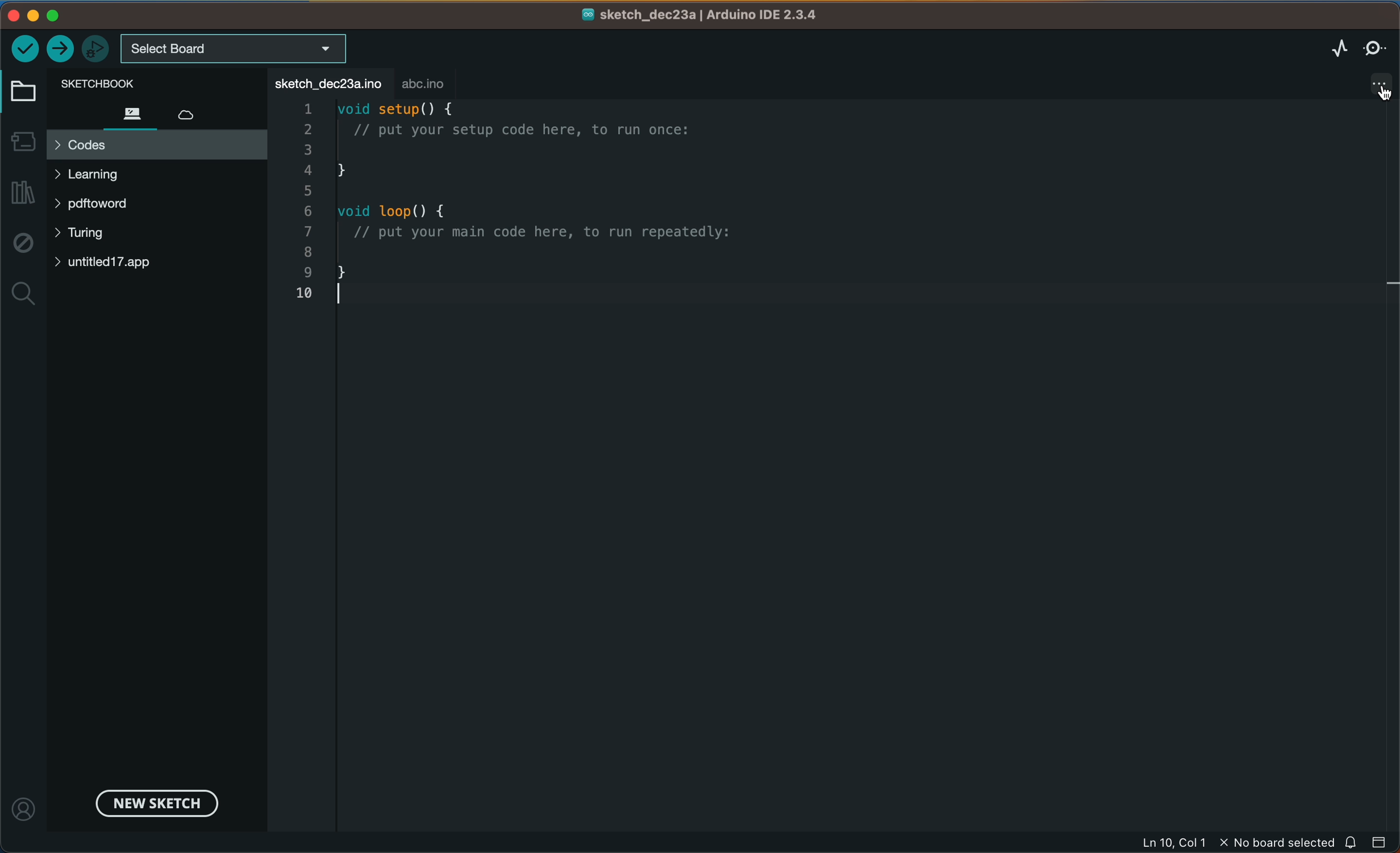 The width and height of the screenshot is (1400, 853). What do you see at coordinates (1375, 45) in the screenshot?
I see `serial monitor` at bounding box center [1375, 45].